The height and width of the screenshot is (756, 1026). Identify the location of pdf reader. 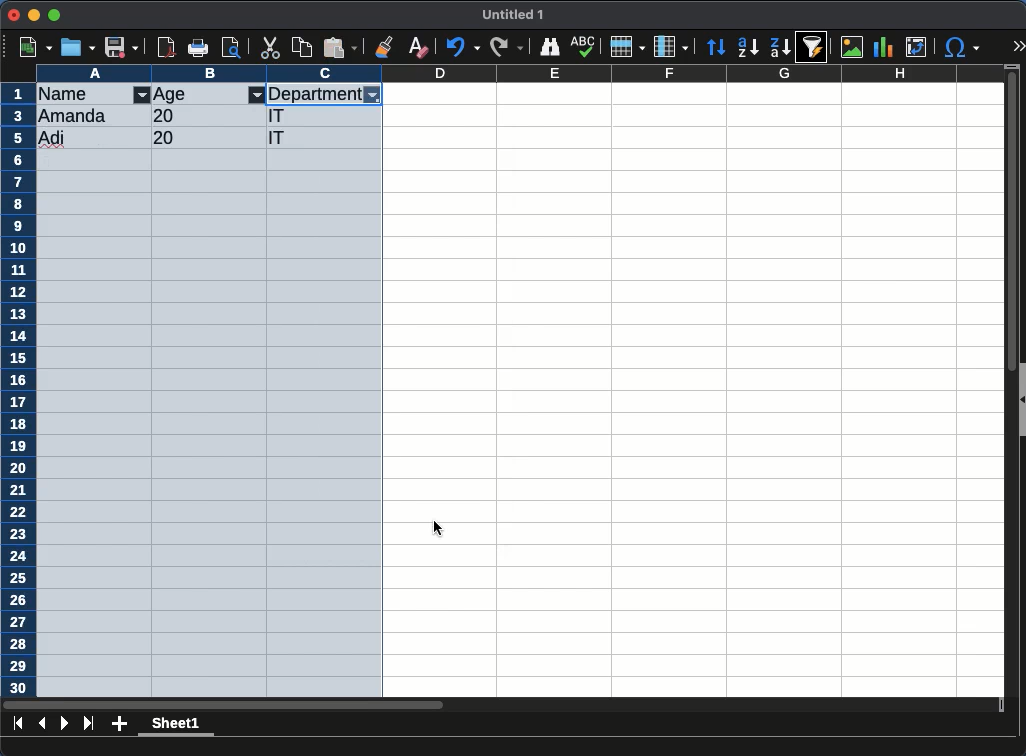
(166, 49).